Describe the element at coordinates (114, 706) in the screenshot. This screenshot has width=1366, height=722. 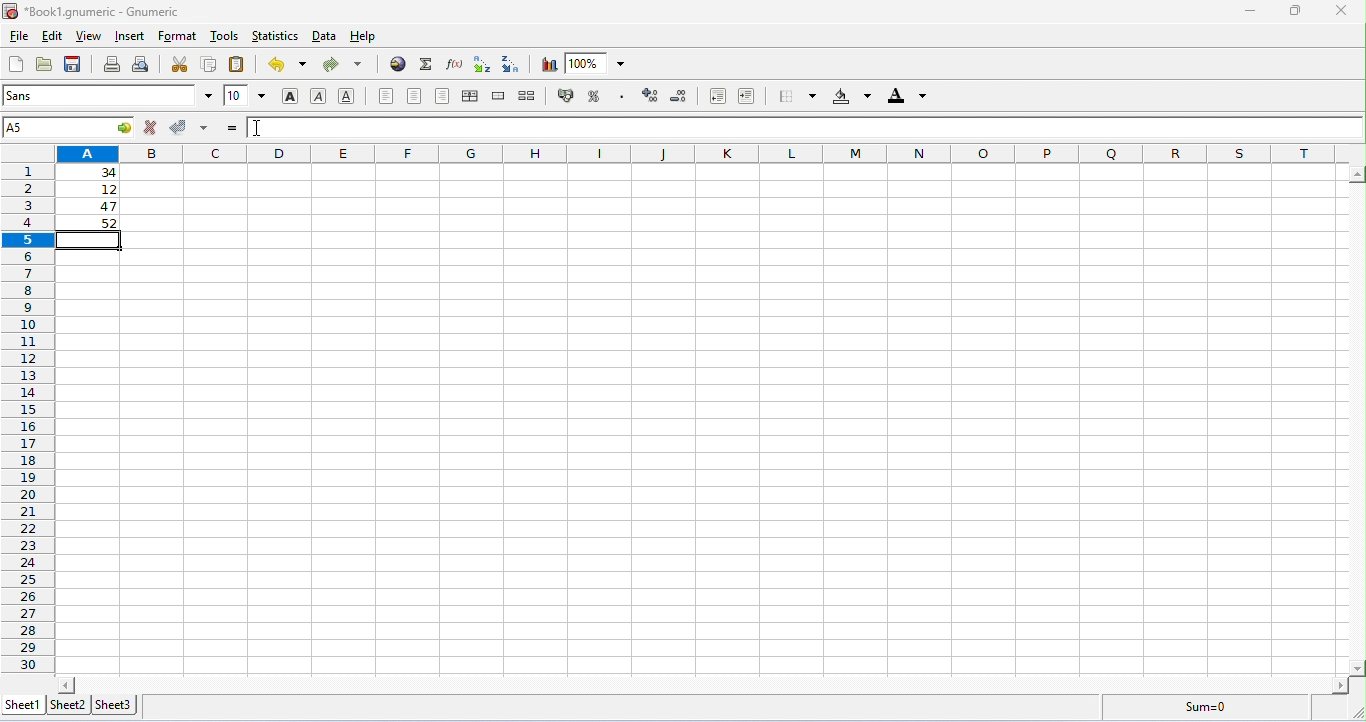
I see `sheet3` at that location.